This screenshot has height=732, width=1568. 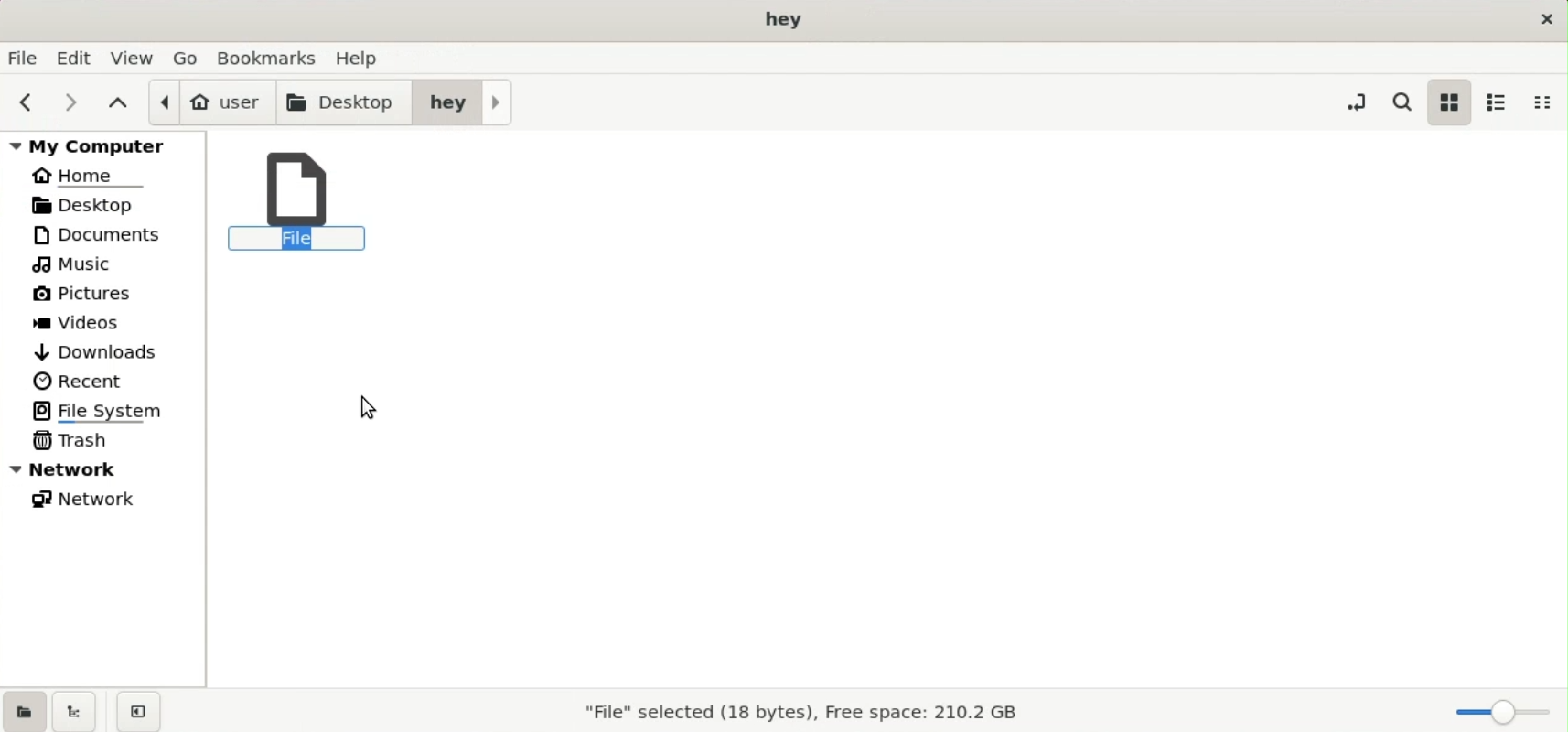 What do you see at coordinates (107, 145) in the screenshot?
I see `my computer` at bounding box center [107, 145].